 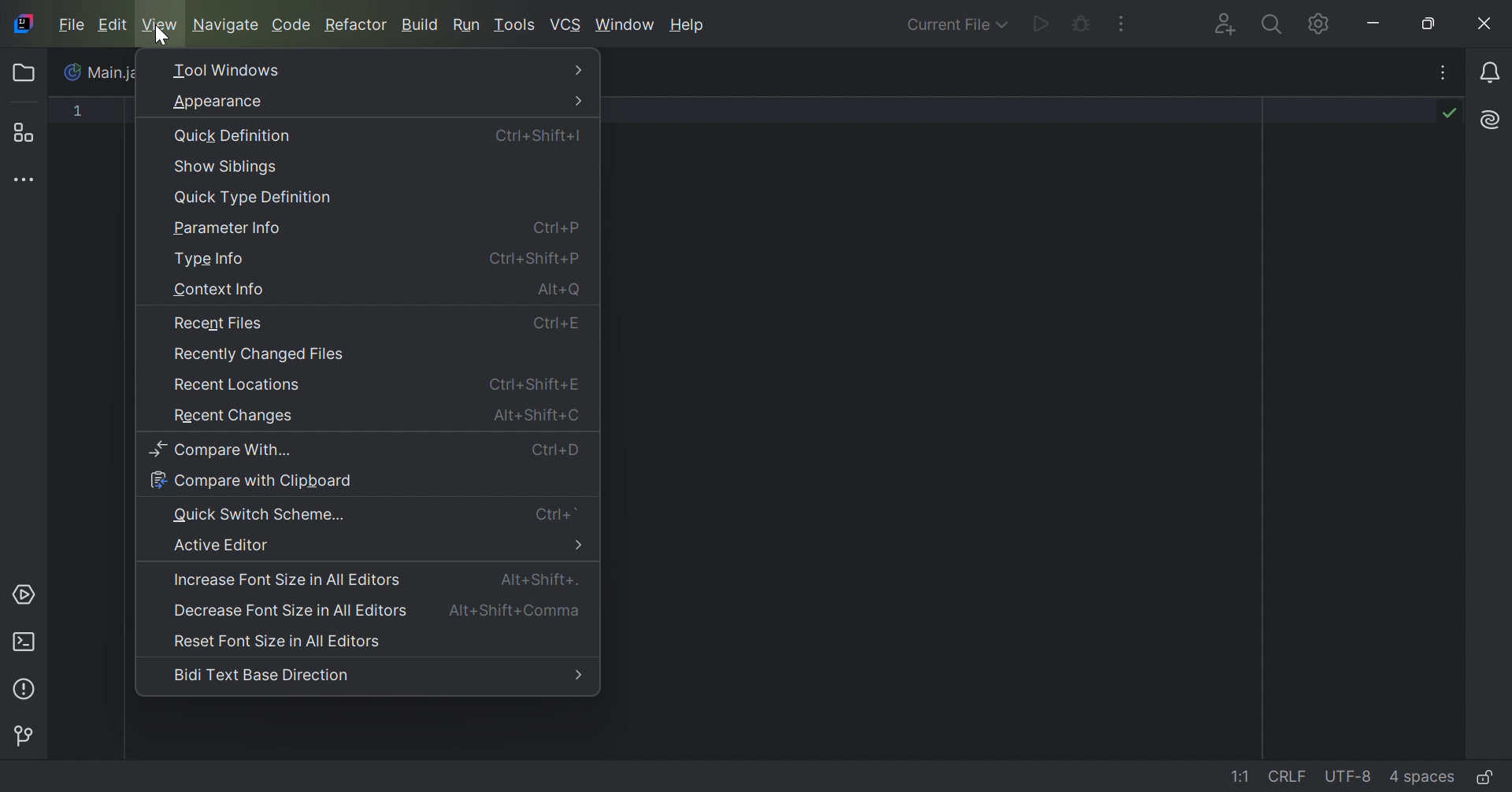 I want to click on 1, so click(x=80, y=114).